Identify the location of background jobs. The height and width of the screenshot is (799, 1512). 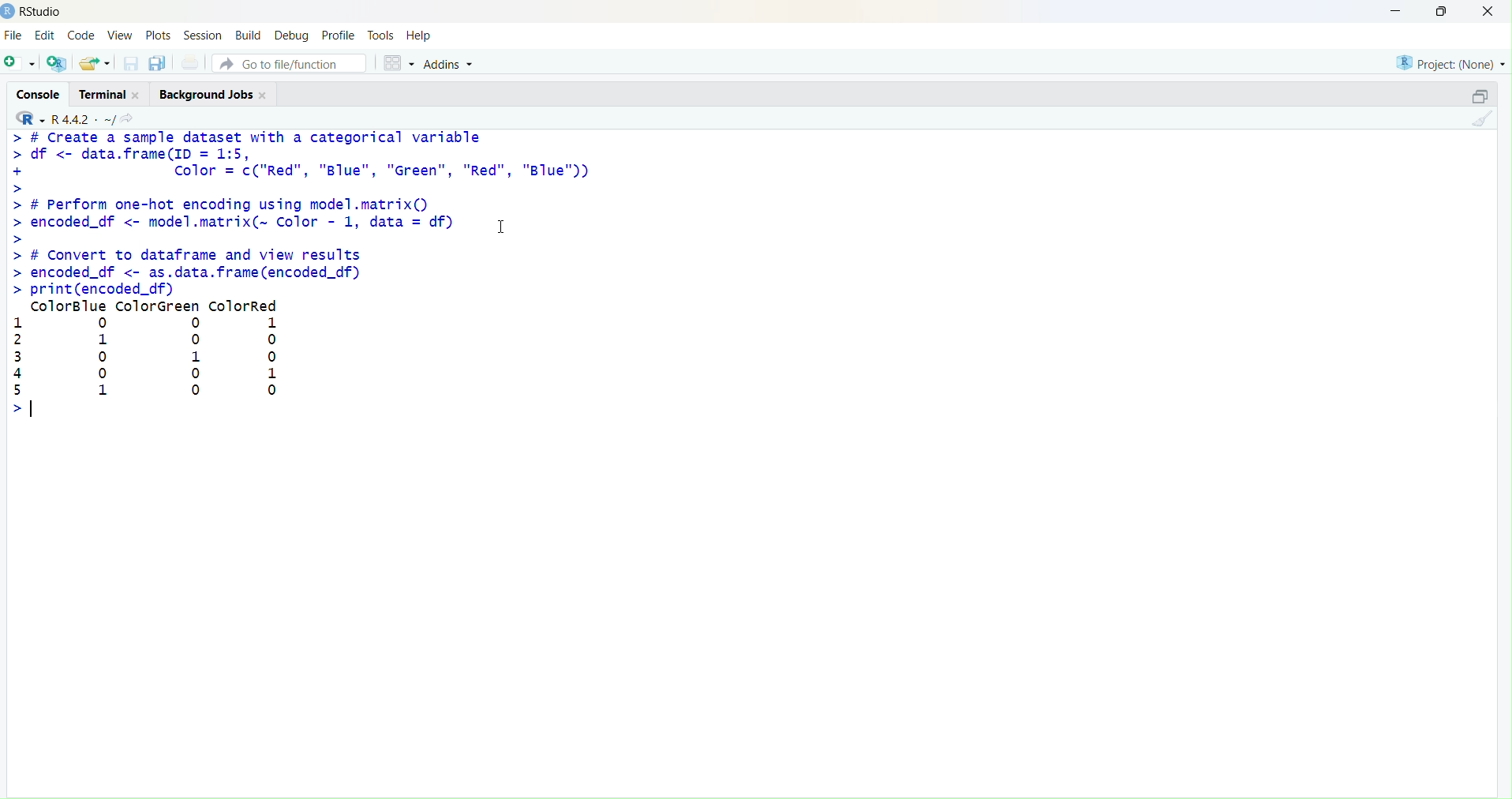
(208, 96).